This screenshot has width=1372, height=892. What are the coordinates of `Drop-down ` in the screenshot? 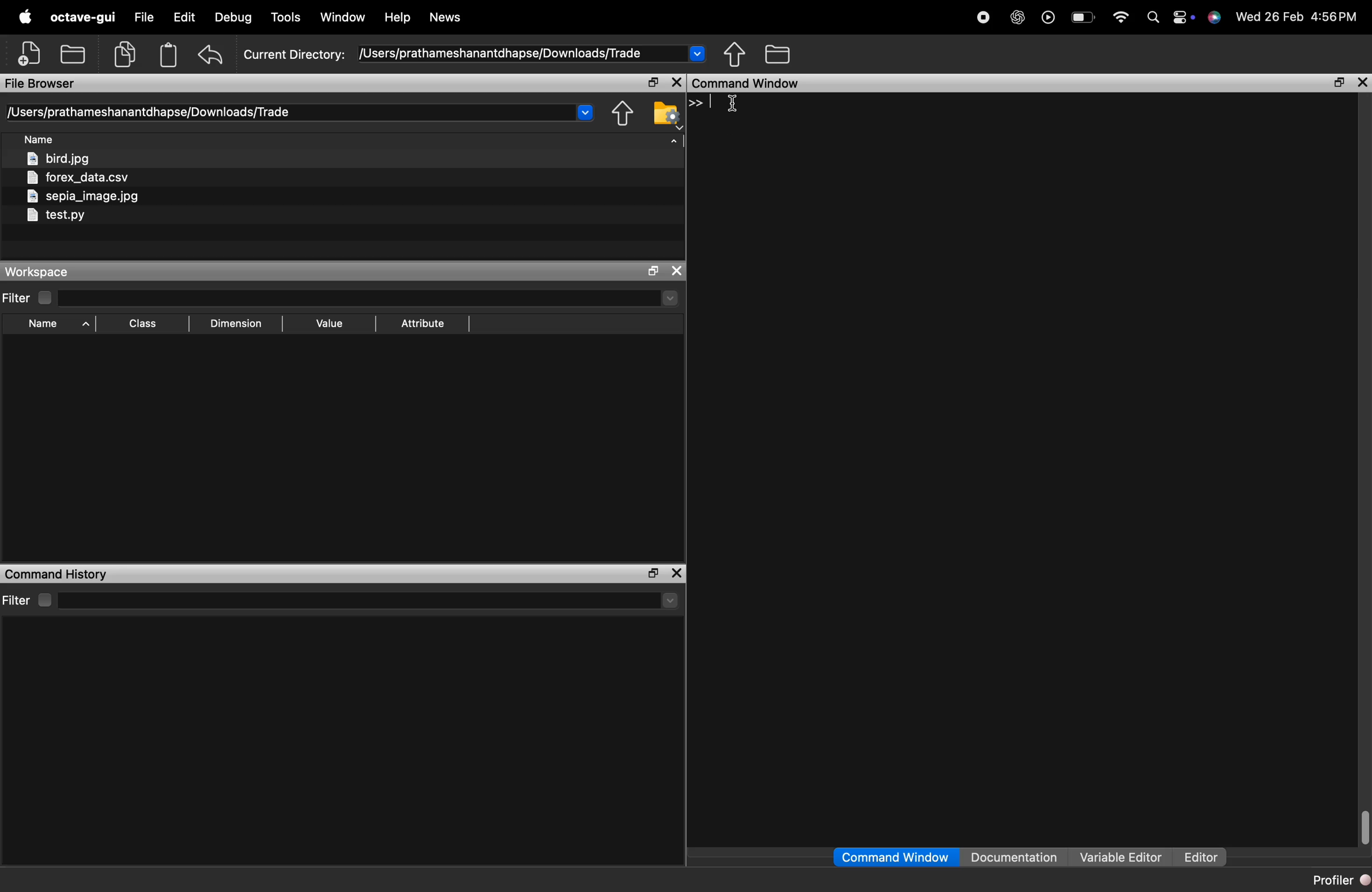 It's located at (586, 112).